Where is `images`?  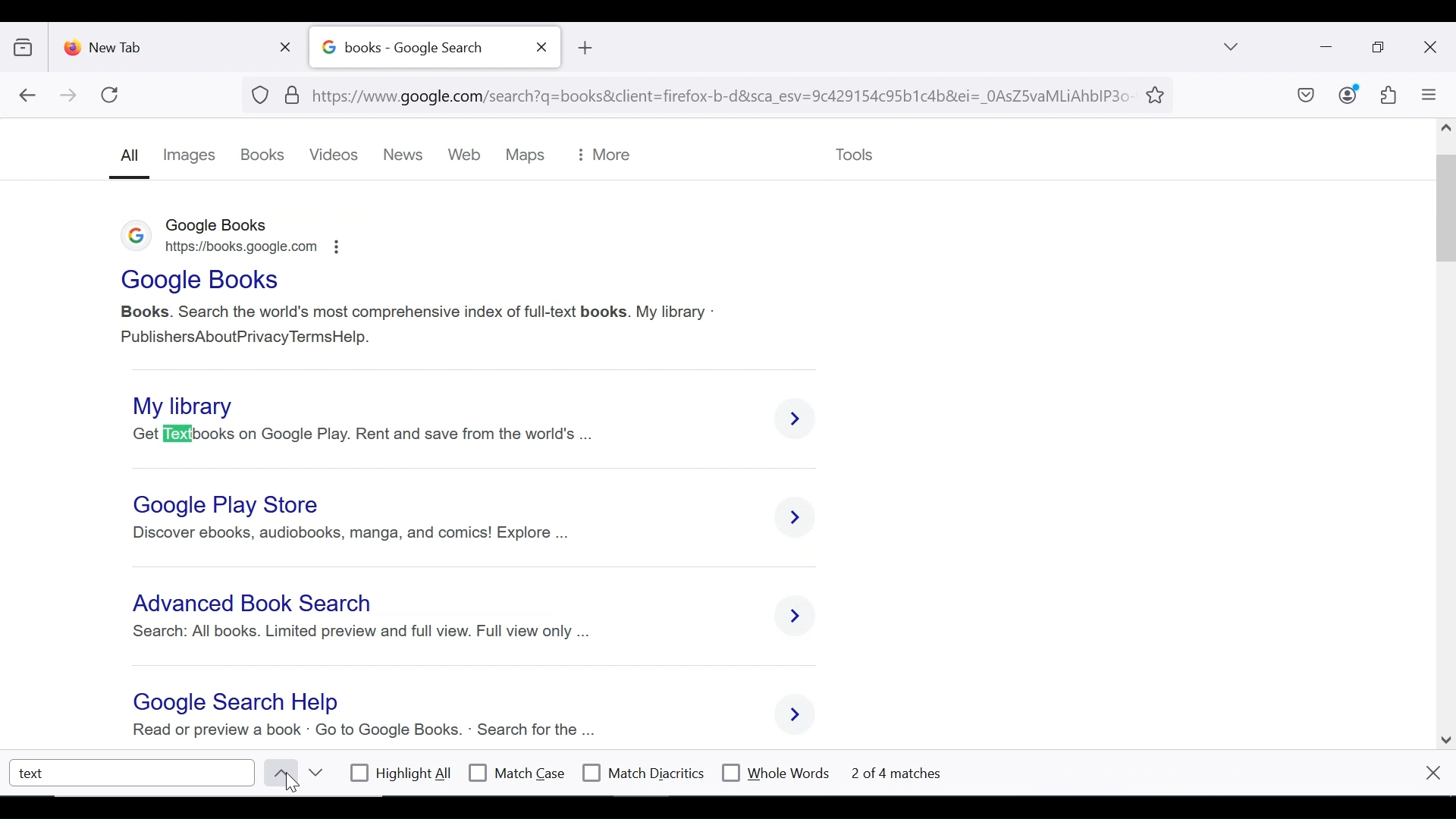
images is located at coordinates (190, 155).